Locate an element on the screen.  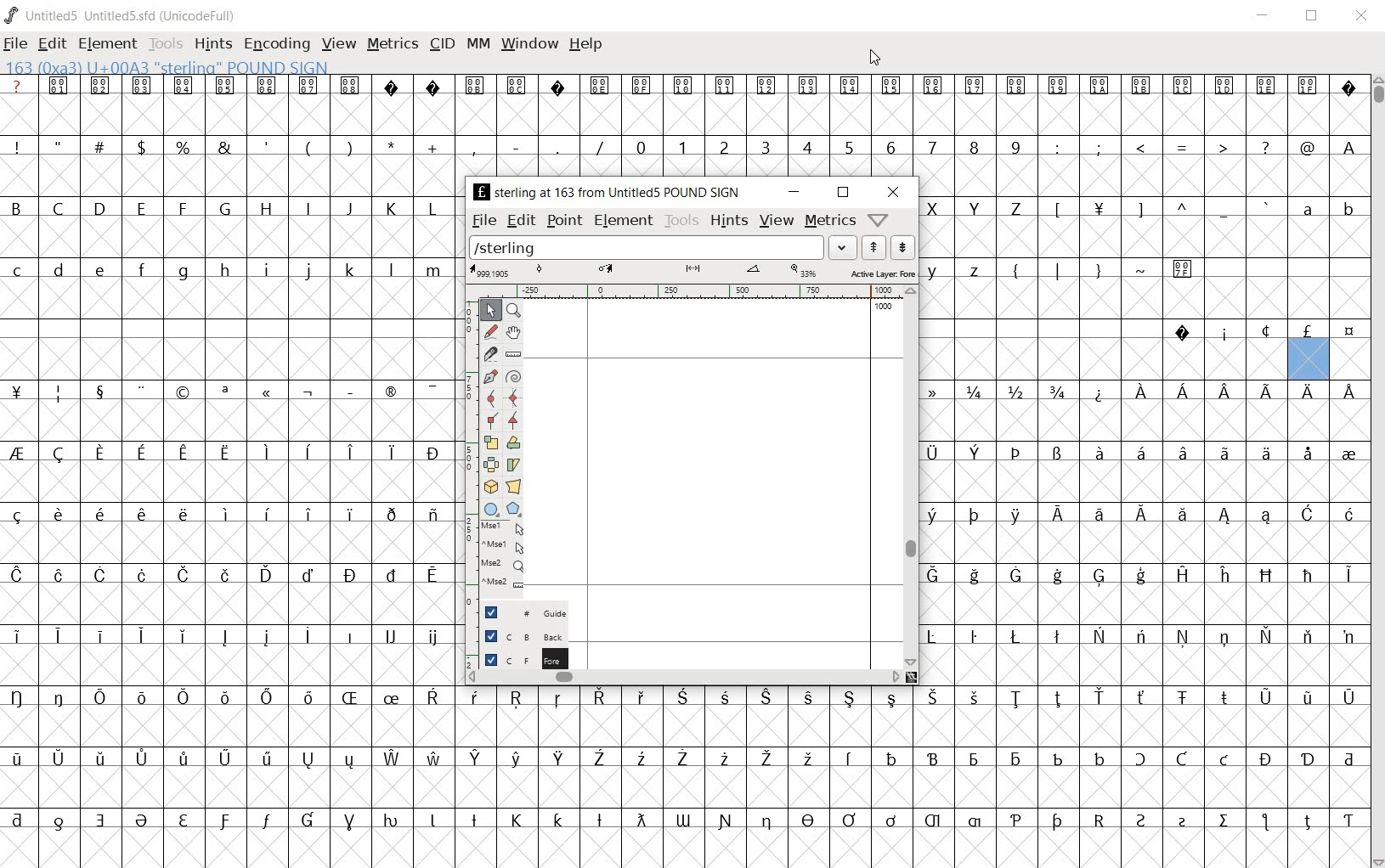
Symbol is located at coordinates (684, 820).